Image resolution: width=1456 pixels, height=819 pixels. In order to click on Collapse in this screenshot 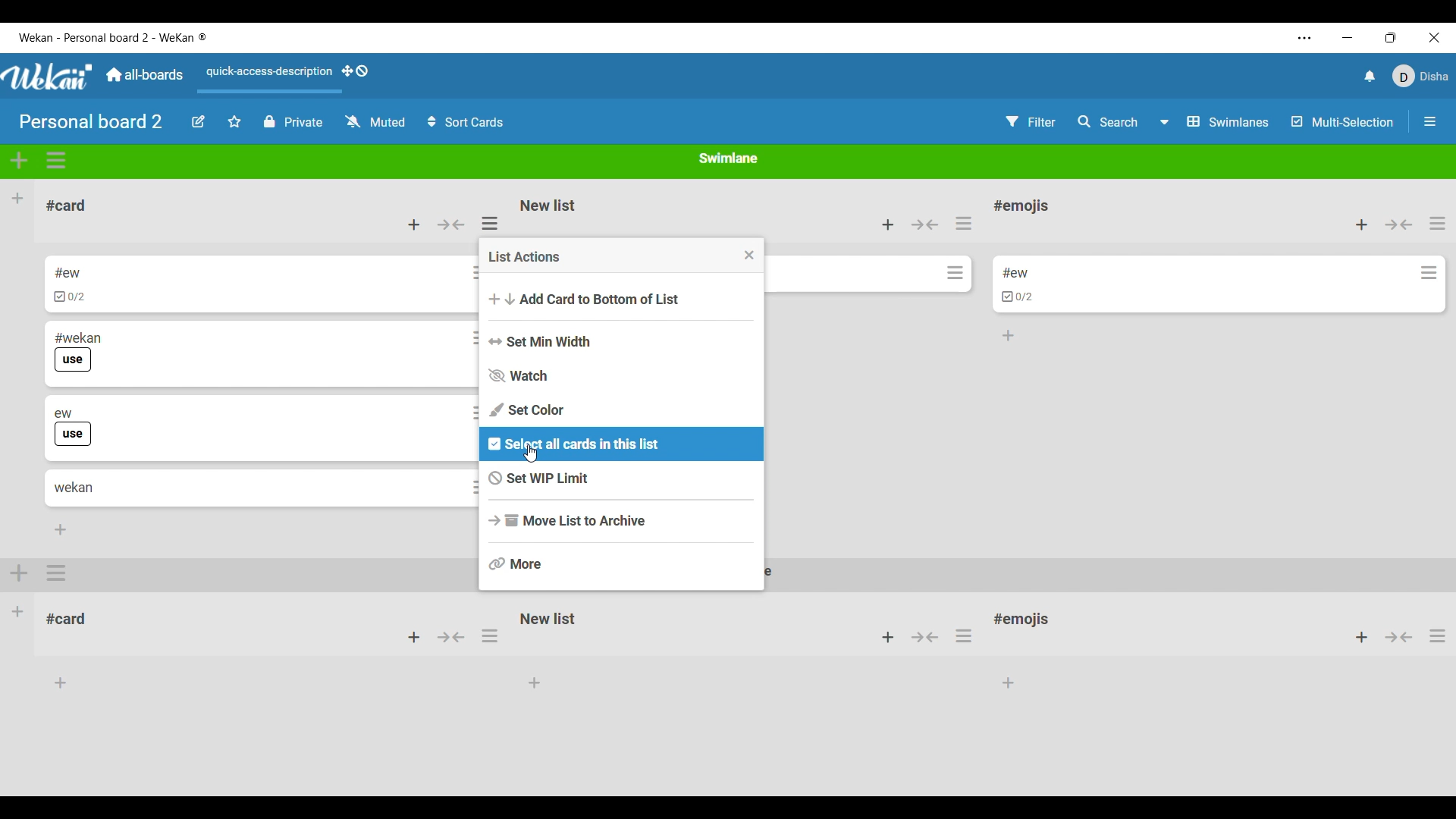, I will do `click(450, 224)`.